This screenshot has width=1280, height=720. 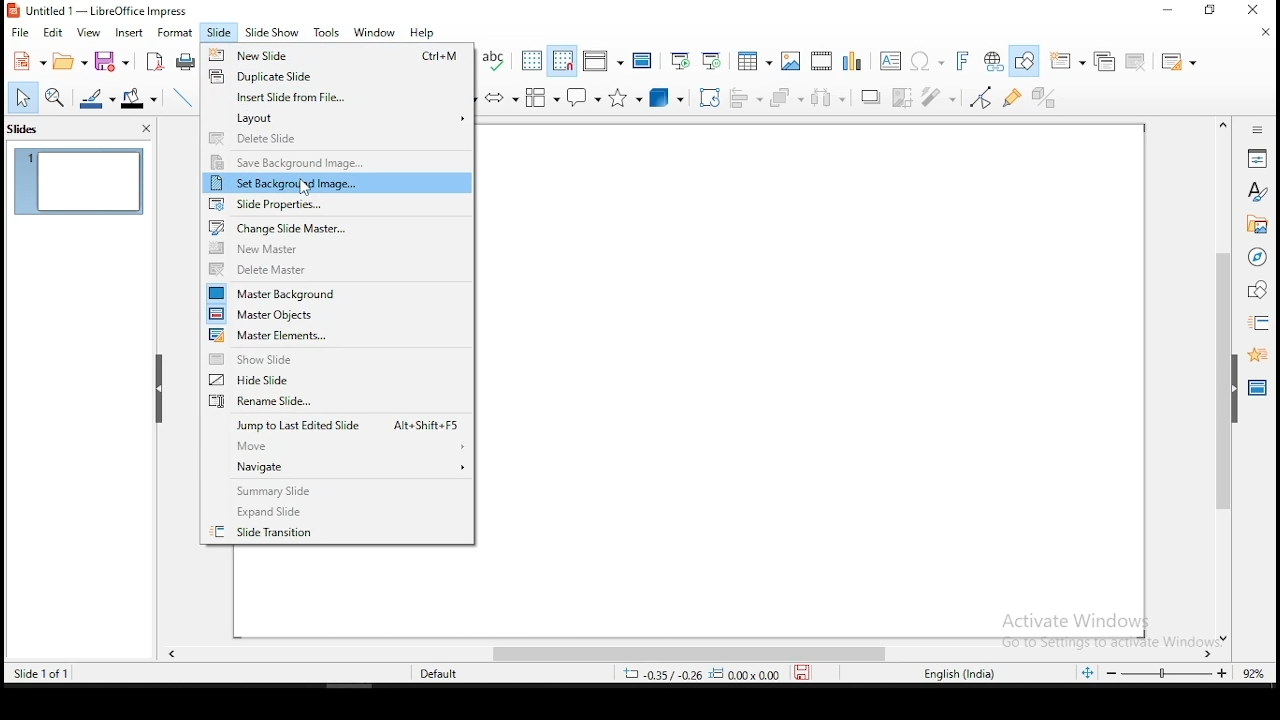 I want to click on slide properties, so click(x=337, y=203).